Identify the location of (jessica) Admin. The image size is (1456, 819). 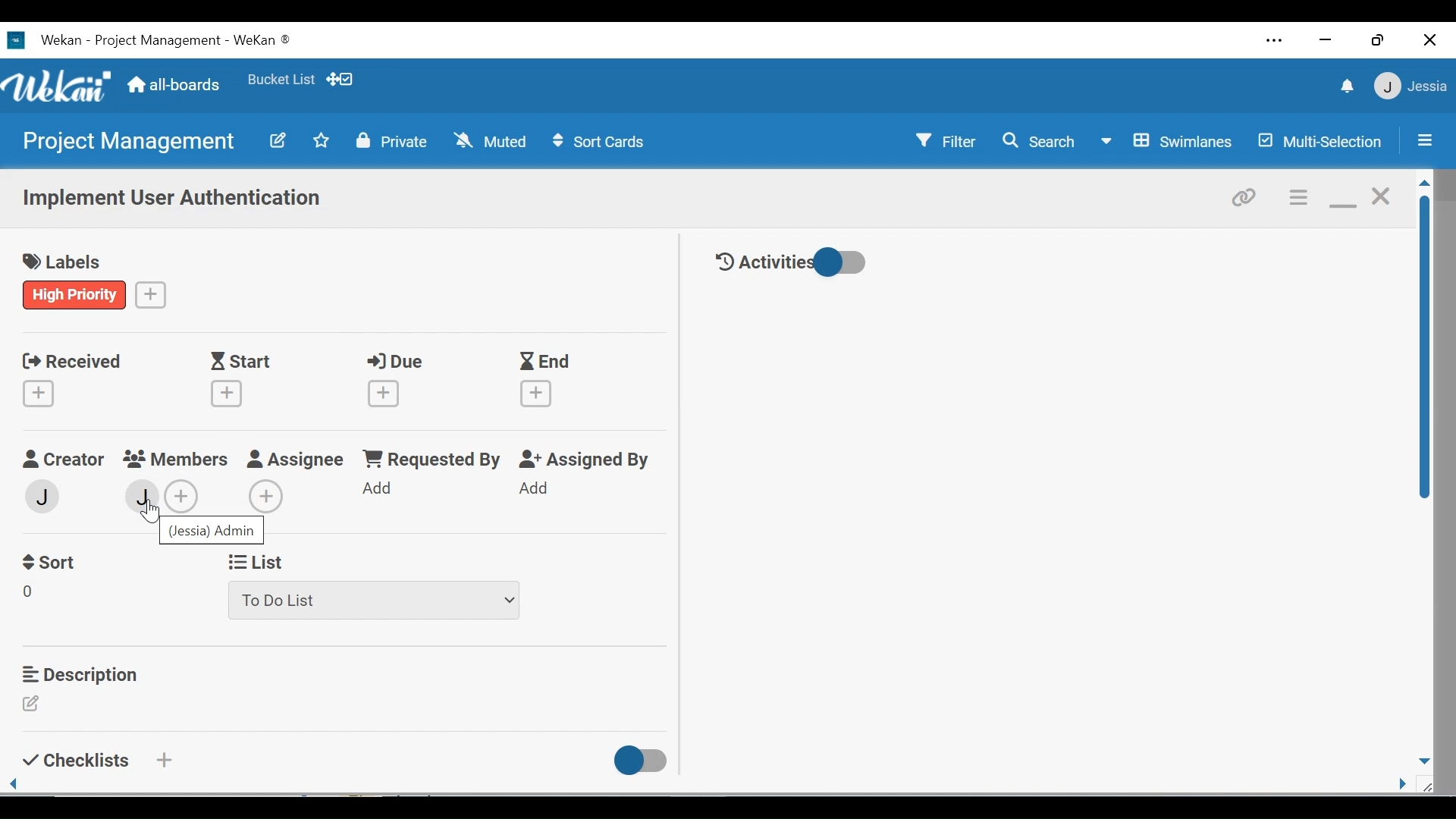
(215, 531).